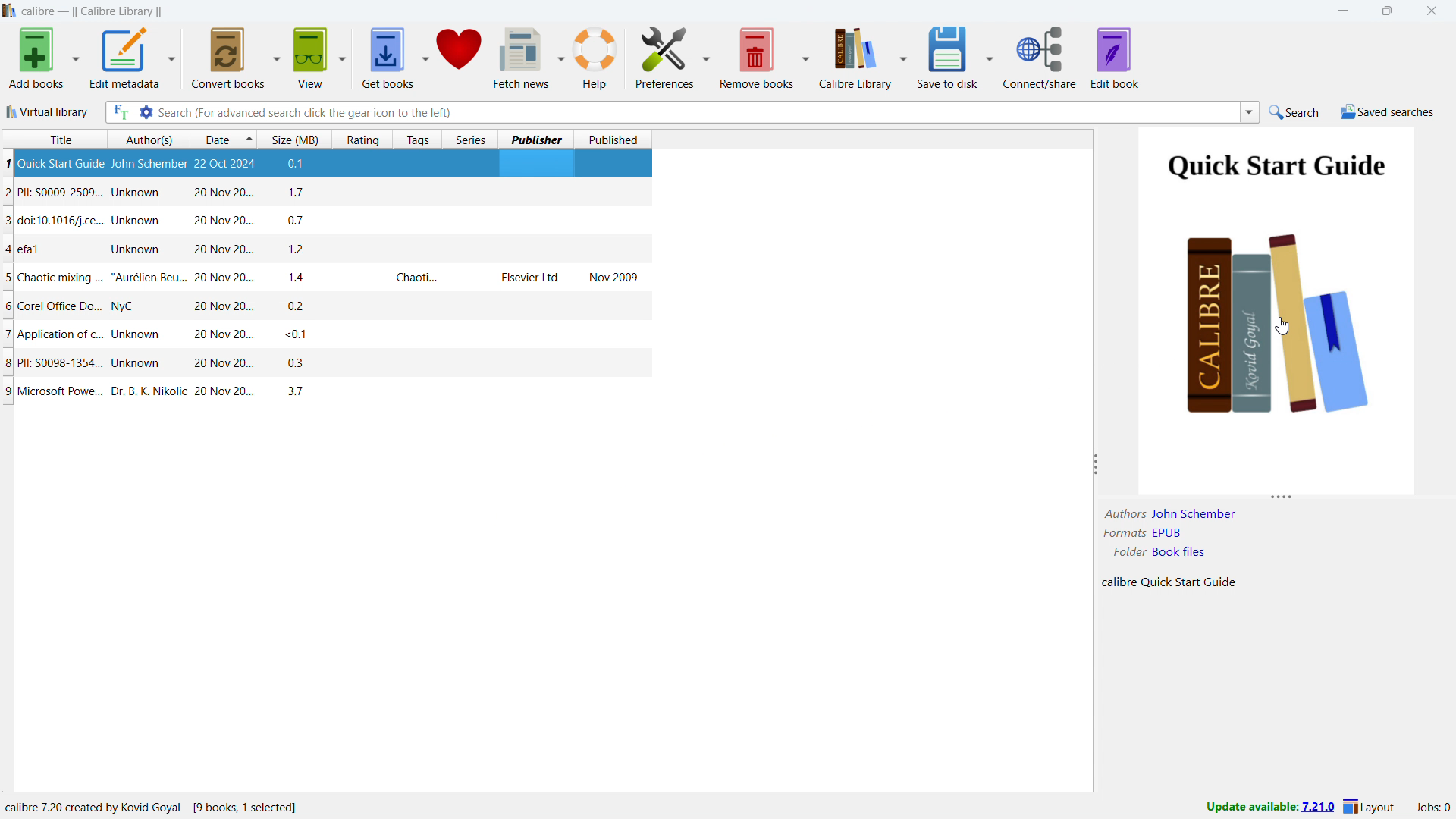 The width and height of the screenshot is (1456, 819). I want to click on Chaotic mixing ... “Aurélien Beu... 20 Nov 20... 14, so click(95, 280).